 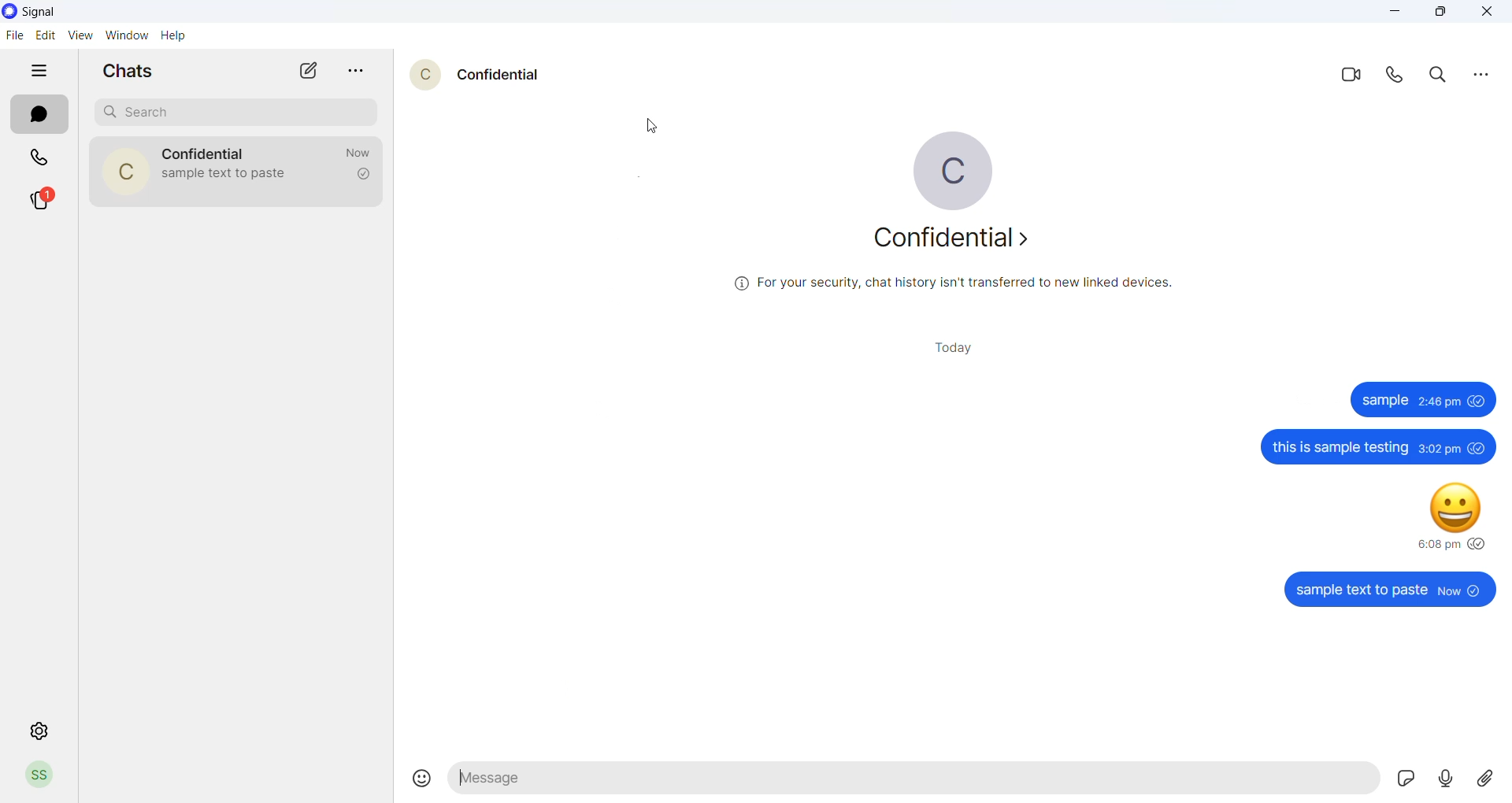 What do you see at coordinates (81, 35) in the screenshot?
I see `view` at bounding box center [81, 35].